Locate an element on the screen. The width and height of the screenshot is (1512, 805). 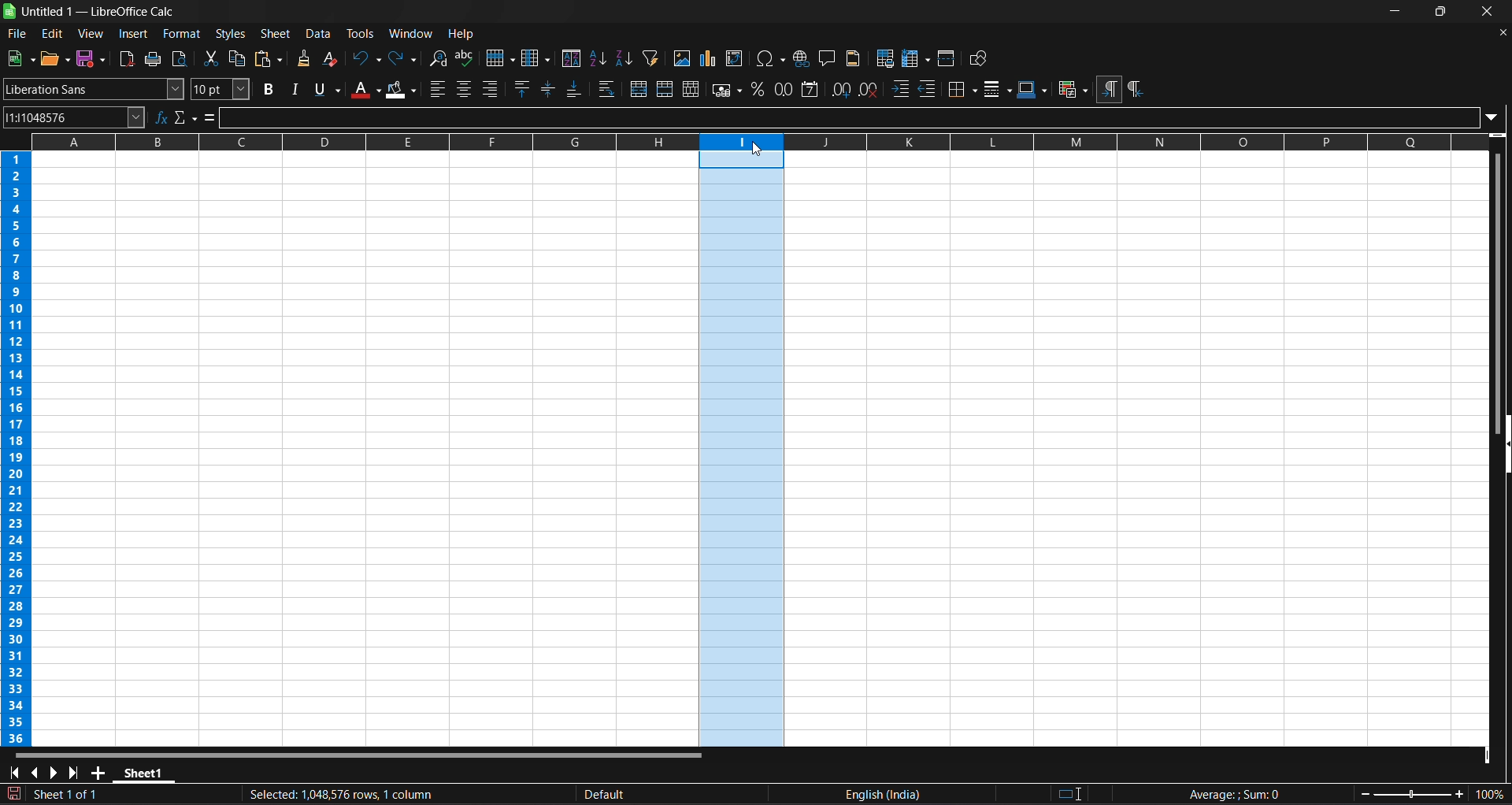
logo is located at coordinates (10, 11).